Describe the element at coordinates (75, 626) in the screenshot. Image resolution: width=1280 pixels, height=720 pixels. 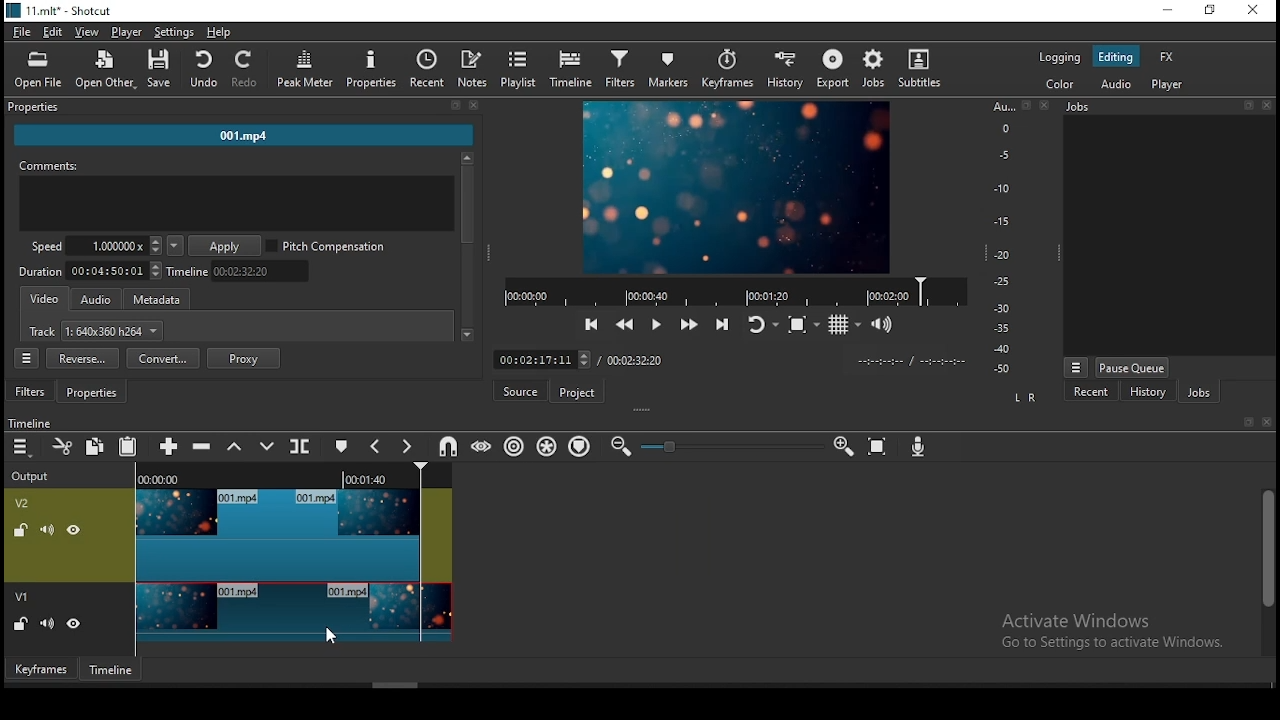
I see `(UN)HIDE` at that location.